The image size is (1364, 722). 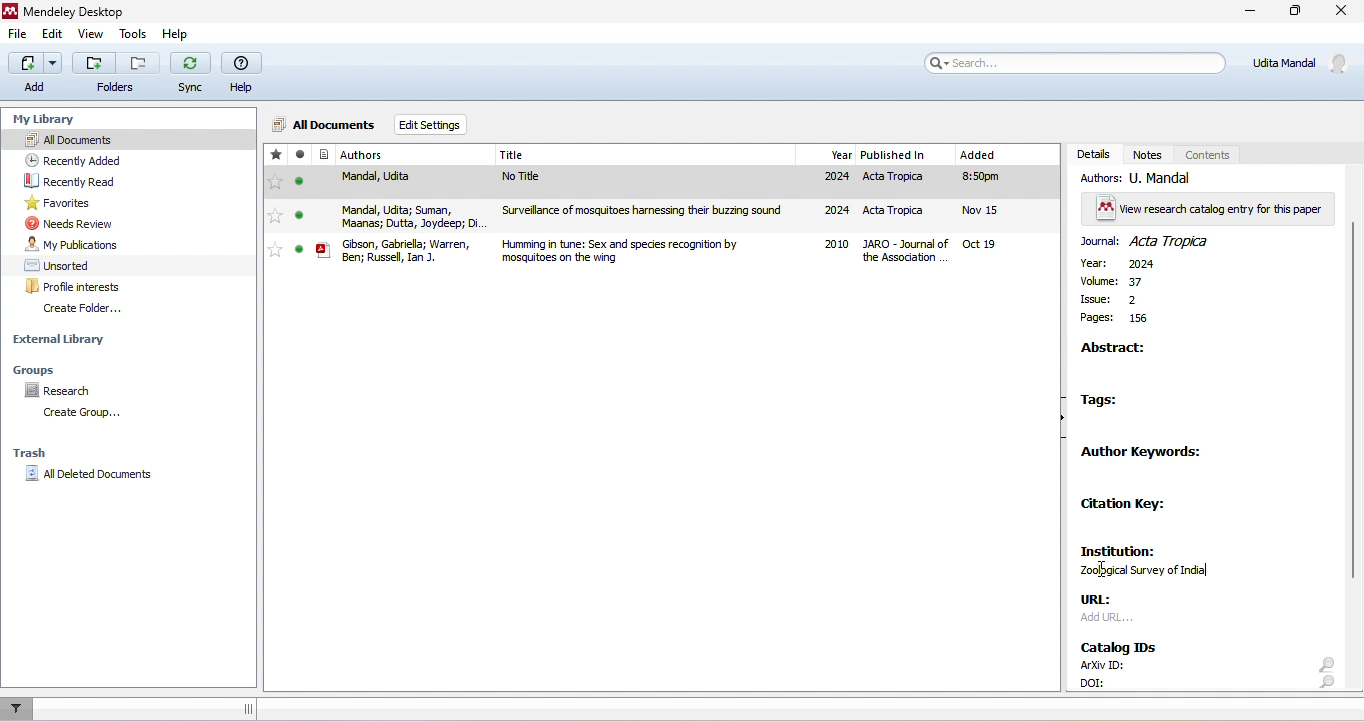 I want to click on edit, so click(x=54, y=35).